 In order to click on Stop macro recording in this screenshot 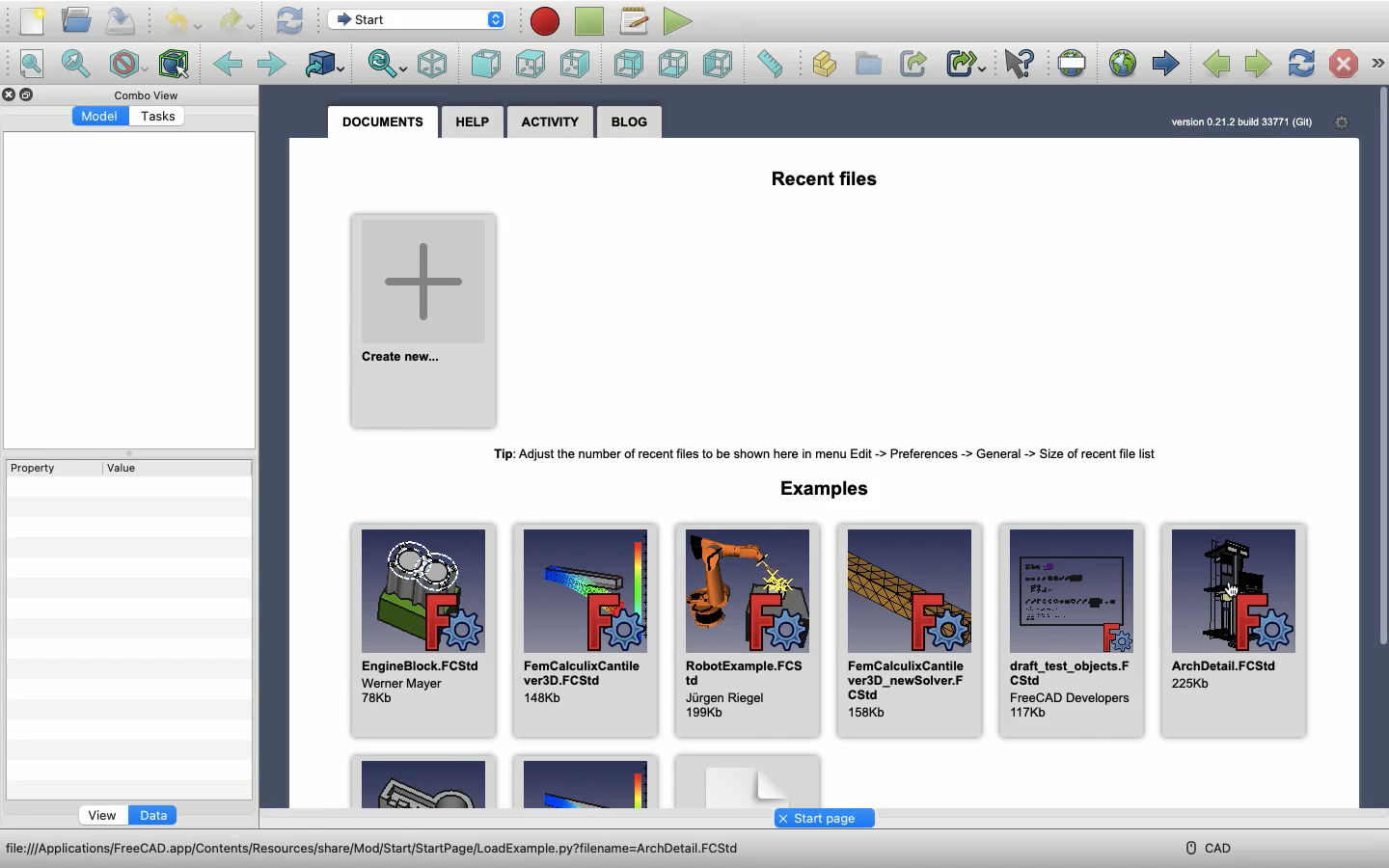, I will do `click(590, 22)`.